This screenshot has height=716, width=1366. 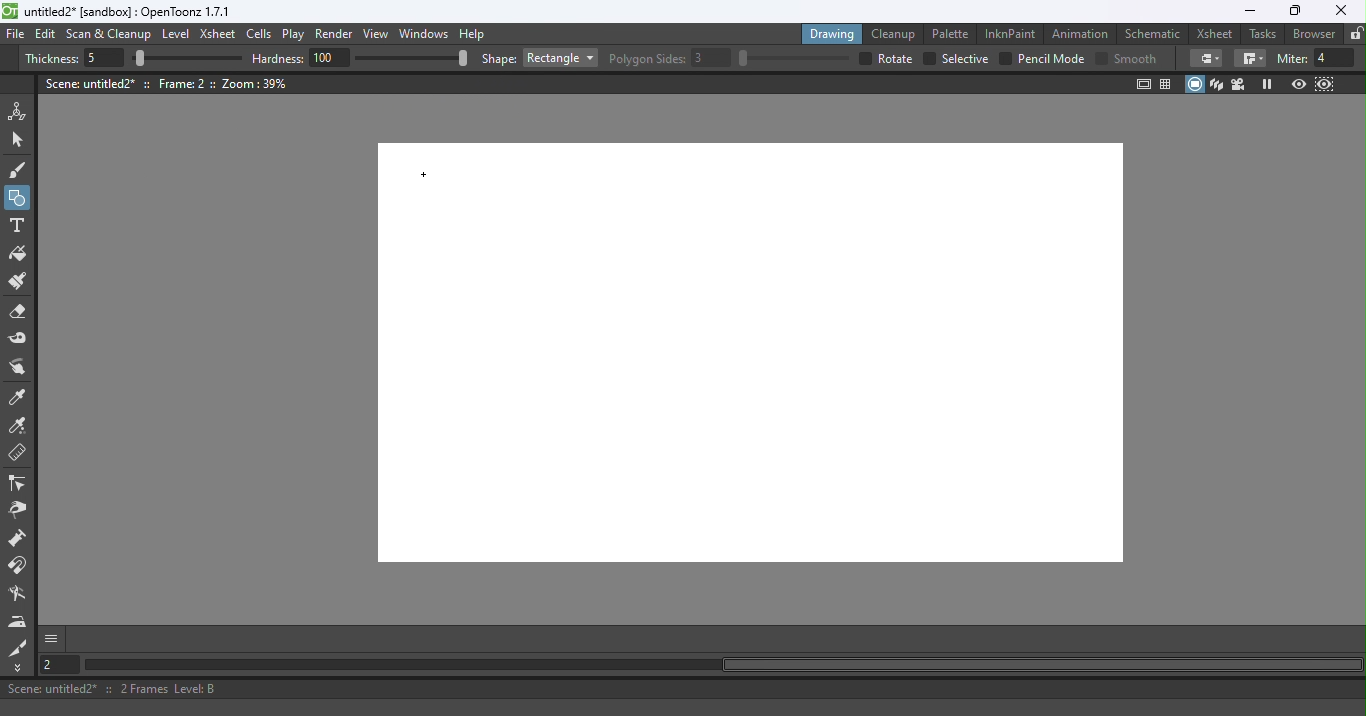 What do you see at coordinates (176, 35) in the screenshot?
I see `Level` at bounding box center [176, 35].